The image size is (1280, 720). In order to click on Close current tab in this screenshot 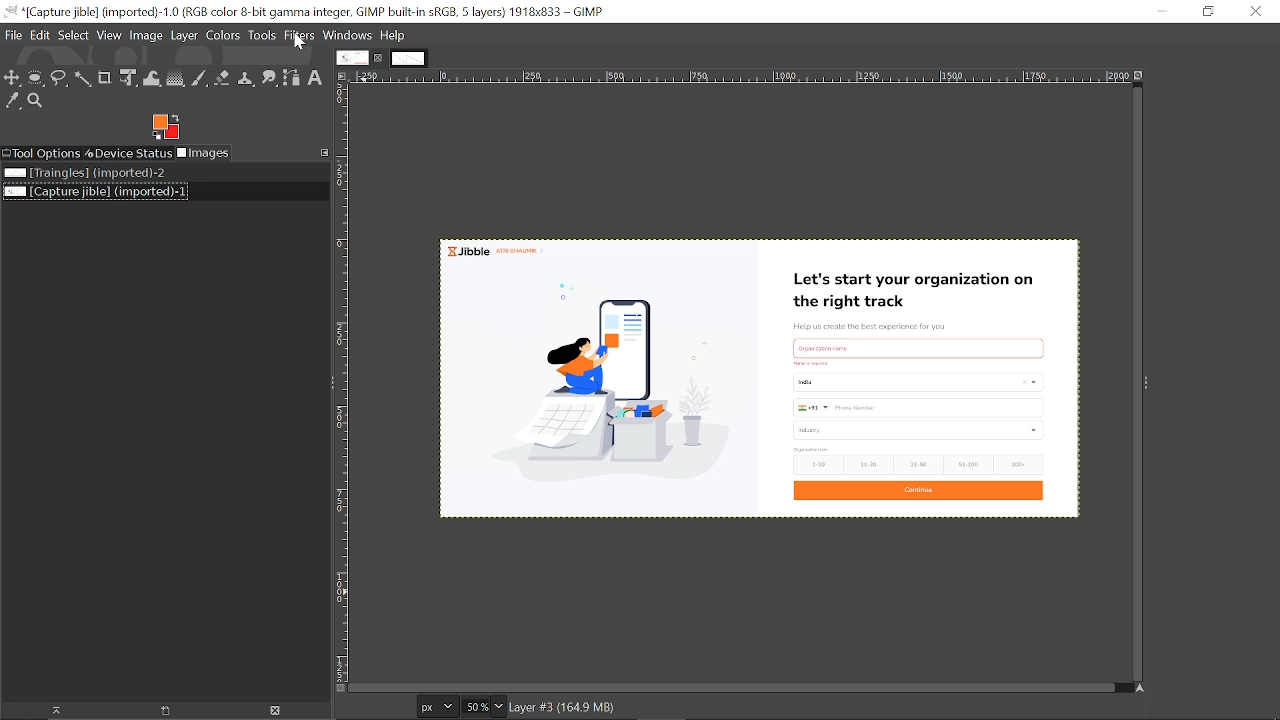, I will do `click(378, 57)`.